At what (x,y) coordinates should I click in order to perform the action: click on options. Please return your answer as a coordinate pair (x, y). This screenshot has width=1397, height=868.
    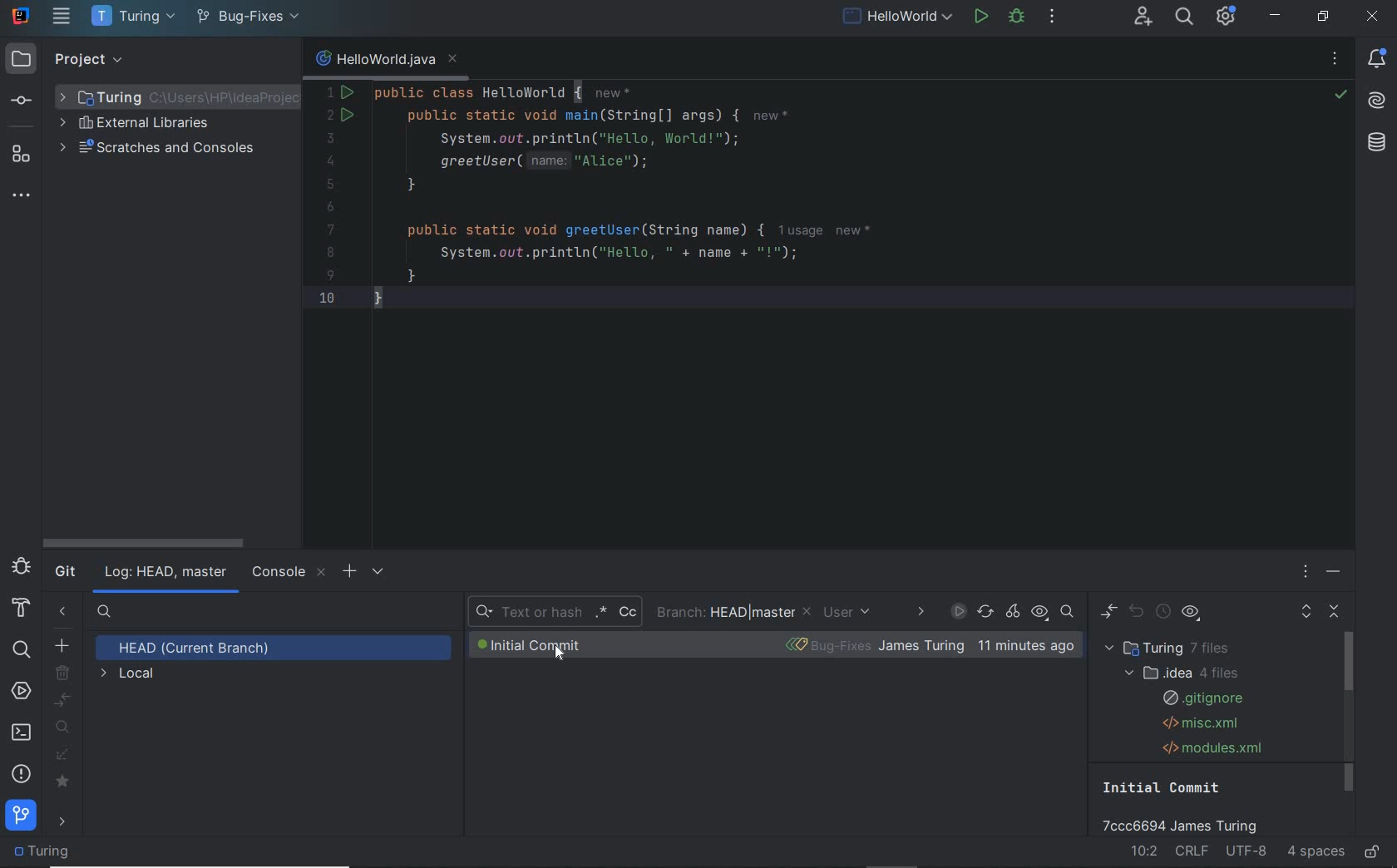
    Looking at the image, I should click on (252, 61).